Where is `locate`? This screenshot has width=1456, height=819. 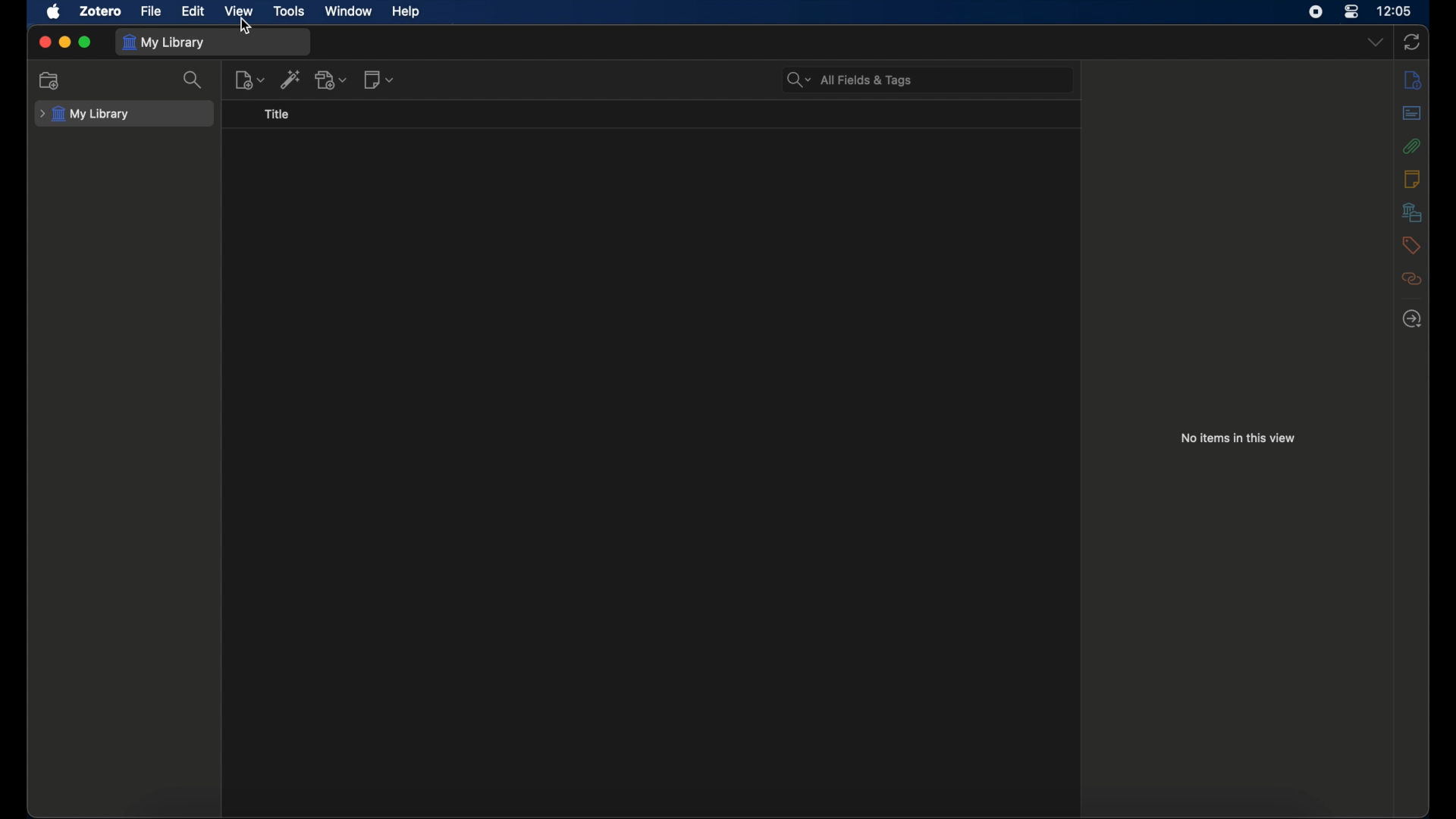
locate is located at coordinates (1411, 320).